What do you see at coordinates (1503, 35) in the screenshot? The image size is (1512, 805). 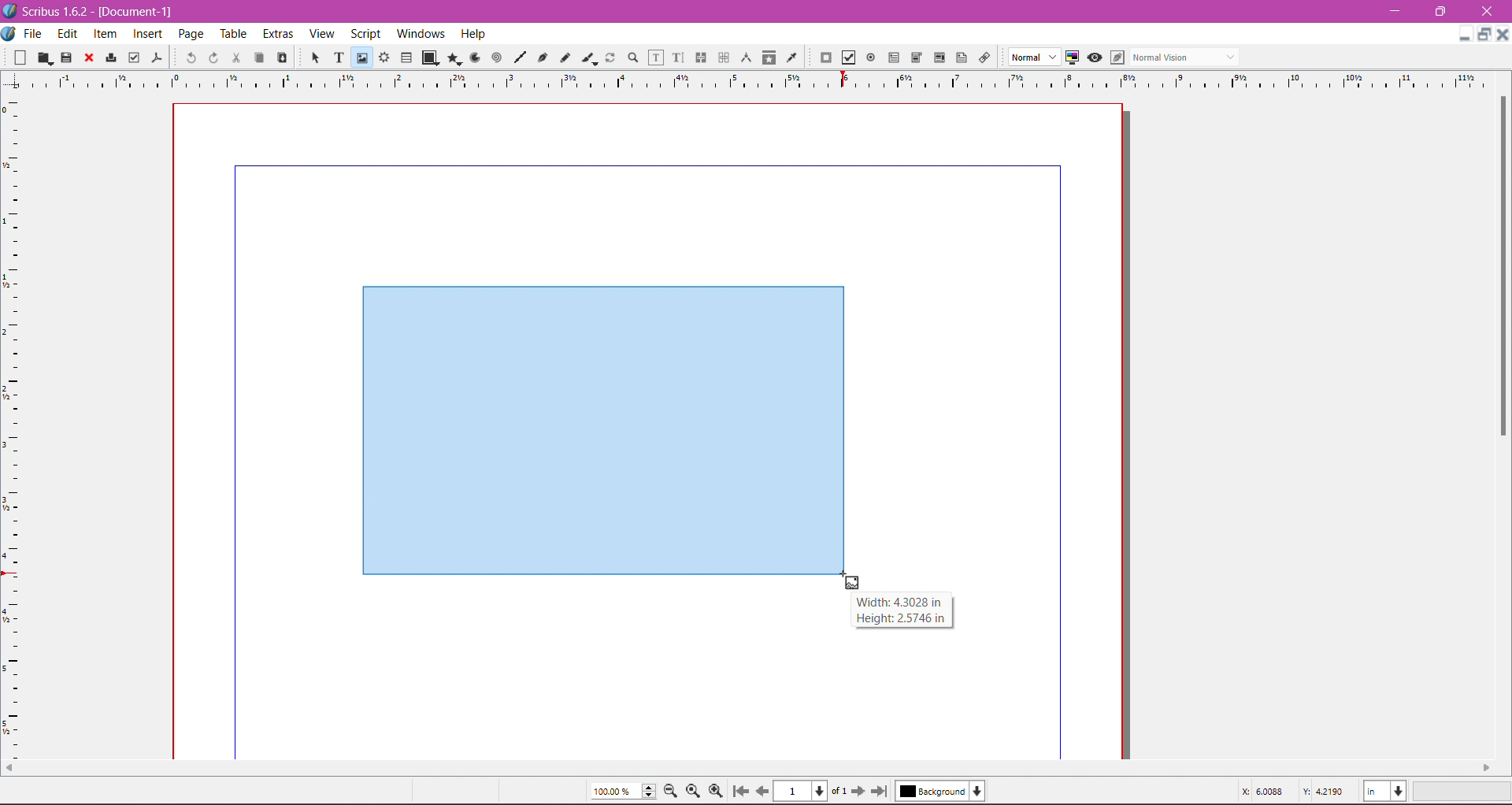 I see `Close Document` at bounding box center [1503, 35].